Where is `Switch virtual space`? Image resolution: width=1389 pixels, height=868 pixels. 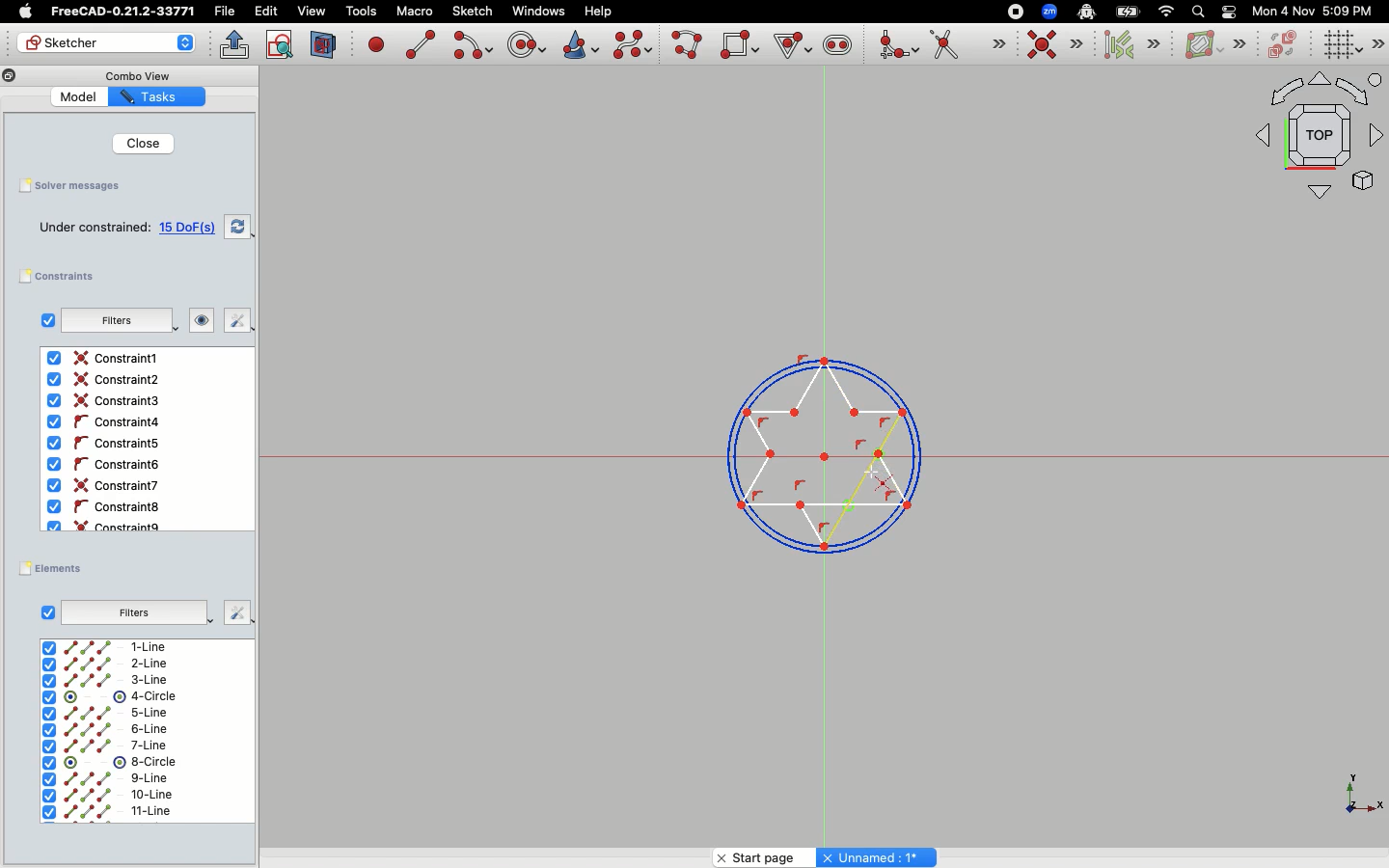
Switch virtual space is located at coordinates (1285, 45).